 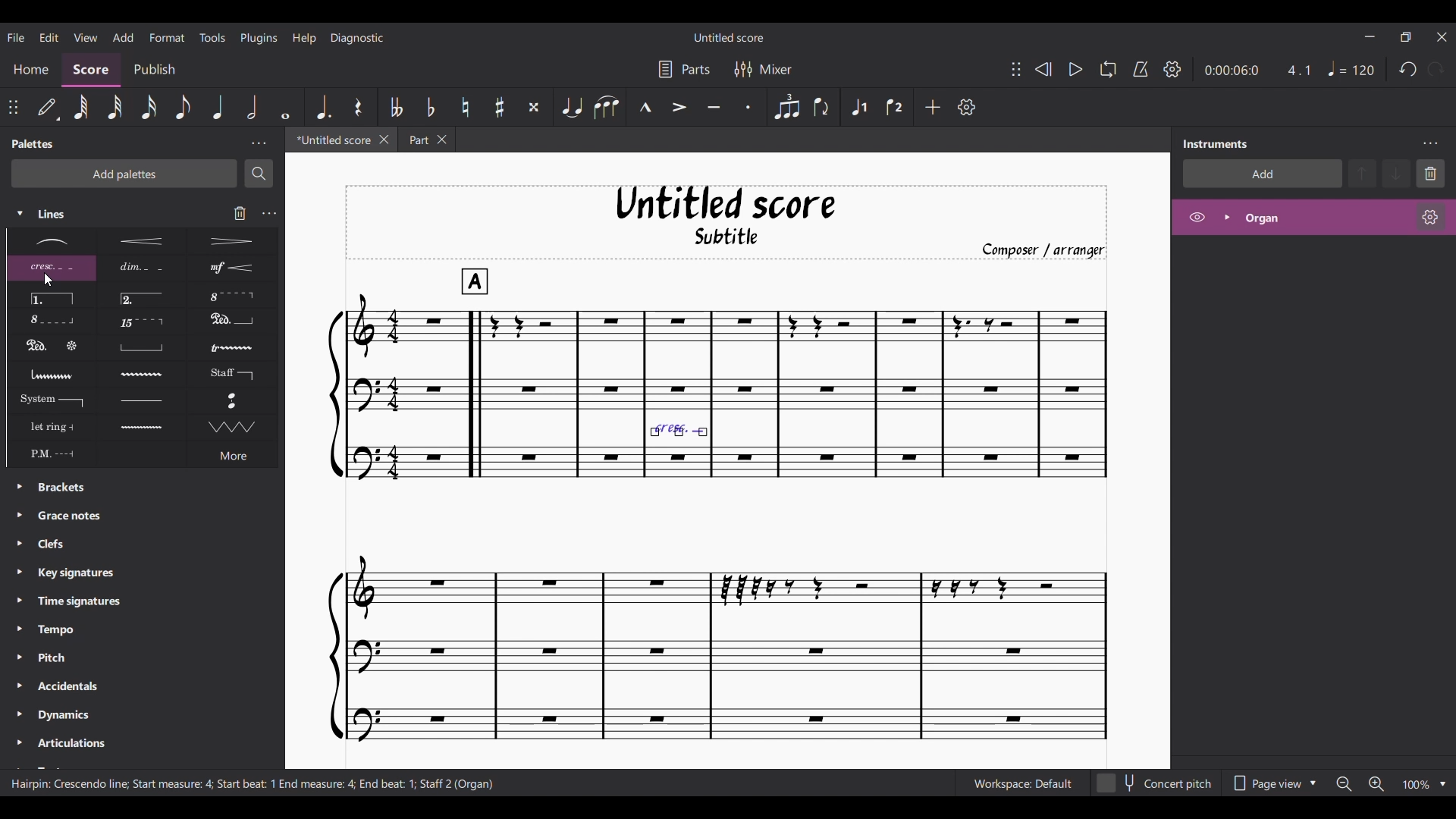 What do you see at coordinates (534, 108) in the screenshot?
I see `Toggle double sharp` at bounding box center [534, 108].